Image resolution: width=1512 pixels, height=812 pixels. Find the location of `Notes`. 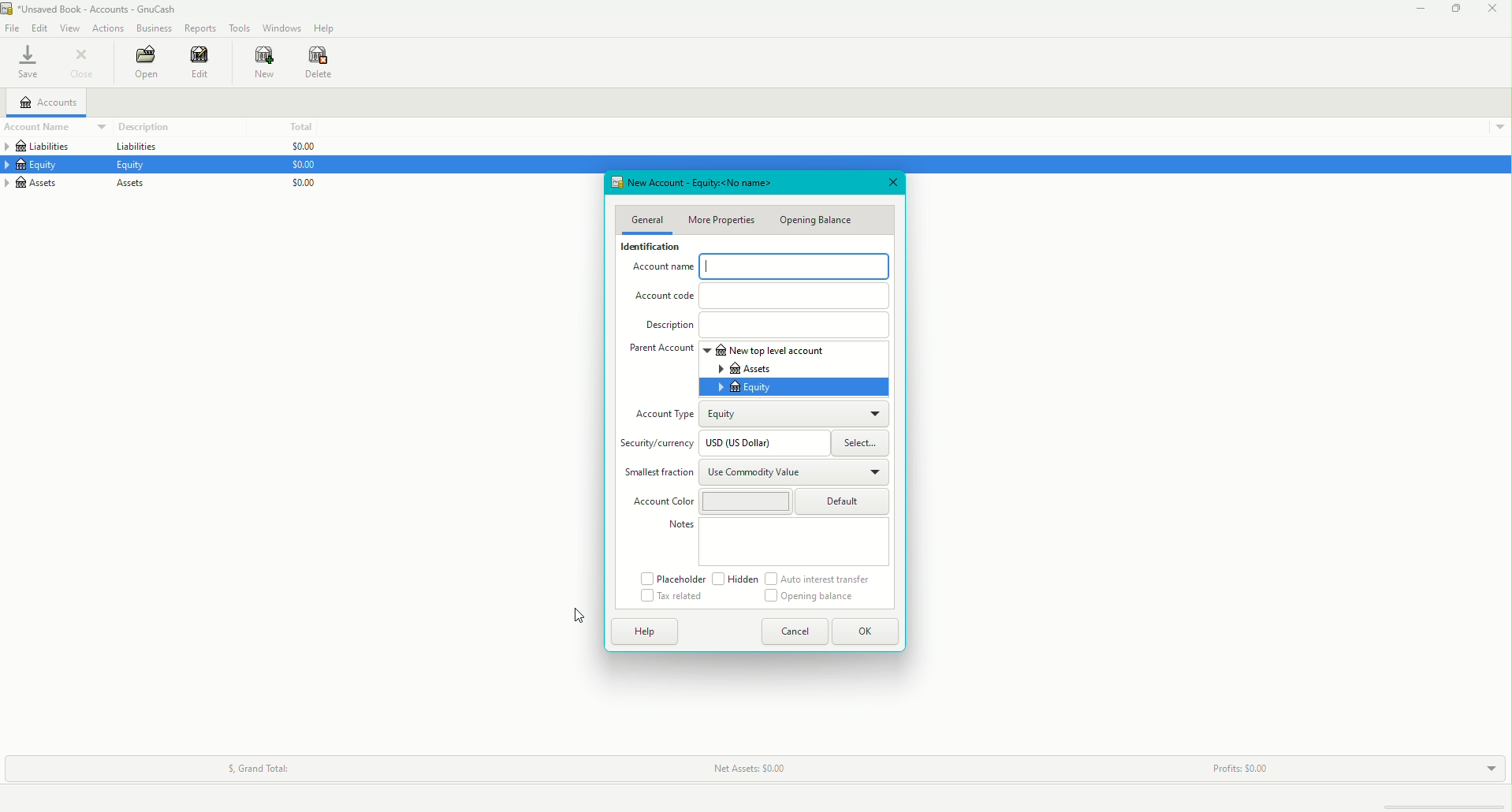

Notes is located at coordinates (777, 542).